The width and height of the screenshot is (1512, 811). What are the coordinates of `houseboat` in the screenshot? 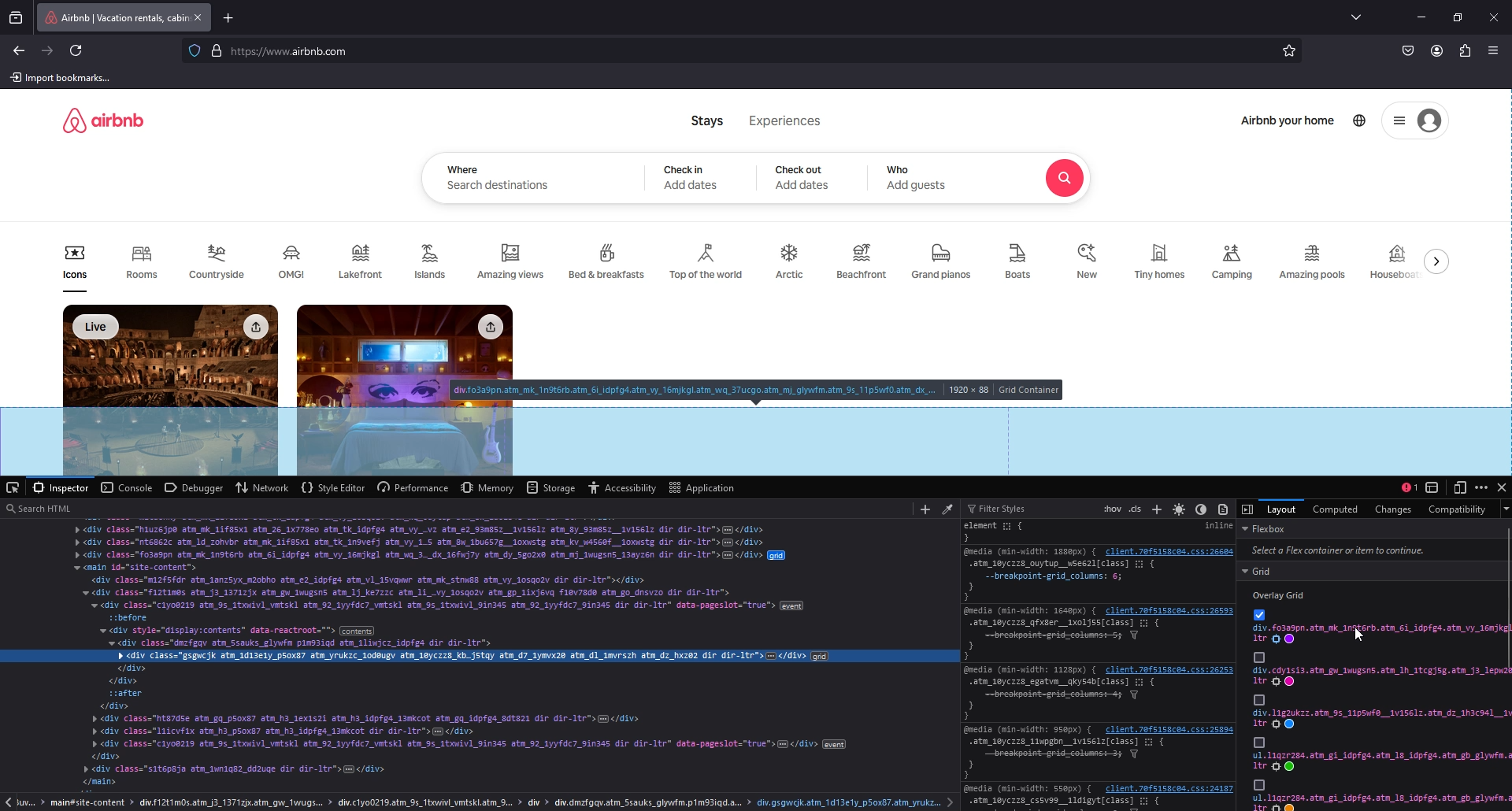 It's located at (1395, 261).